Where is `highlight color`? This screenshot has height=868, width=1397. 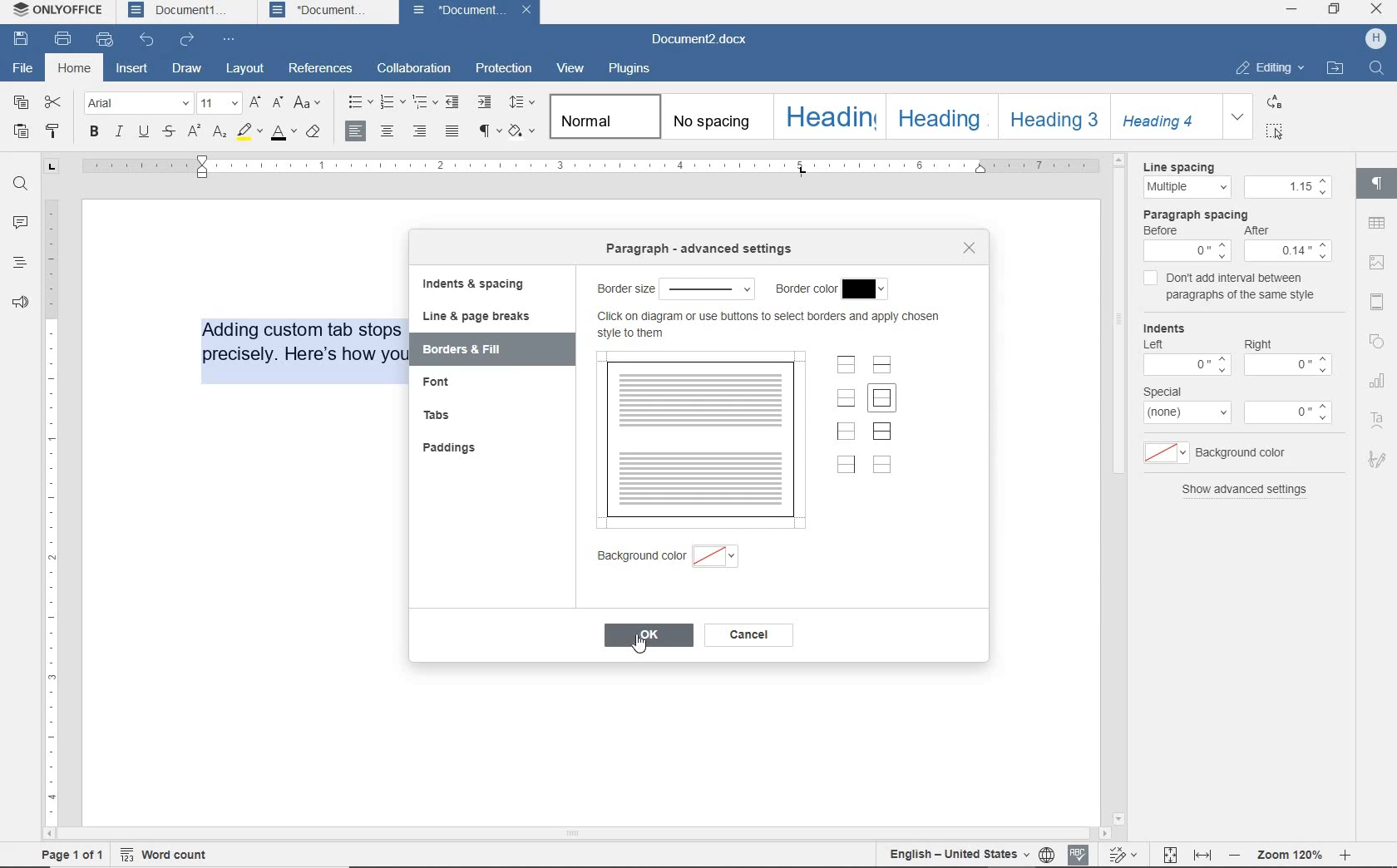
highlight color is located at coordinates (249, 133).